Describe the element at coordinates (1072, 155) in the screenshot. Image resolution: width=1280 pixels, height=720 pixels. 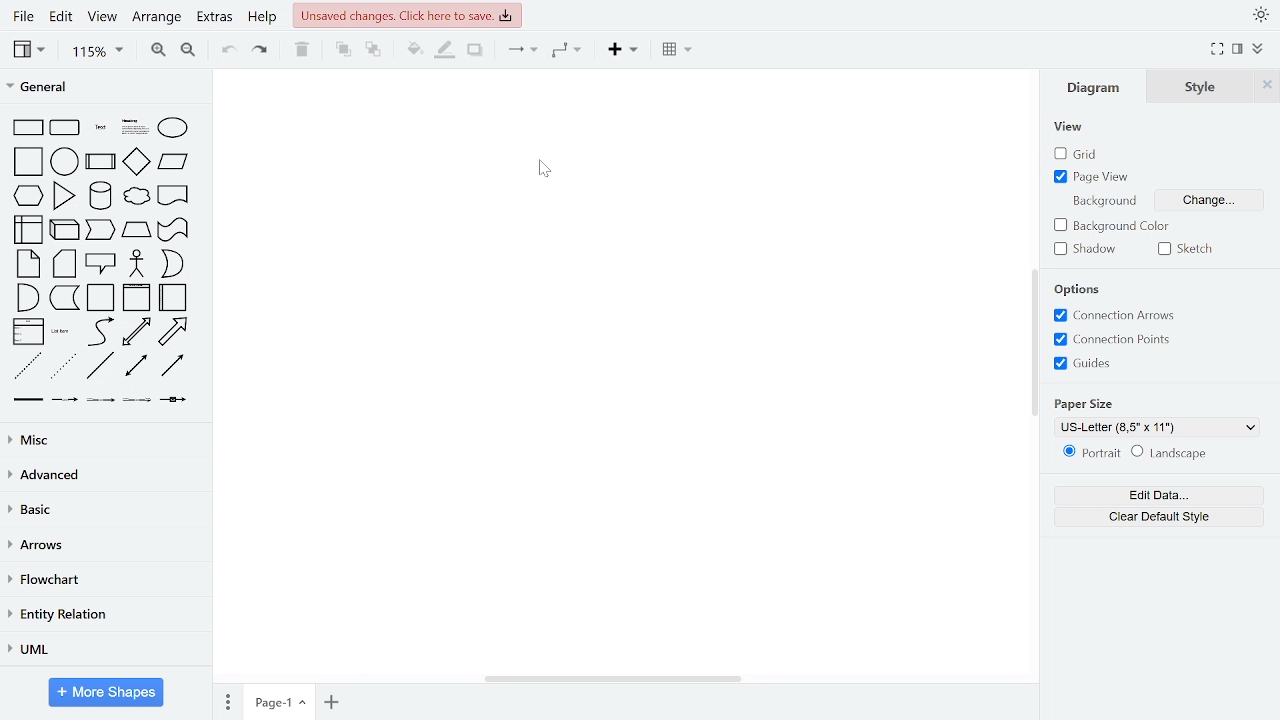
I see `grid` at that location.